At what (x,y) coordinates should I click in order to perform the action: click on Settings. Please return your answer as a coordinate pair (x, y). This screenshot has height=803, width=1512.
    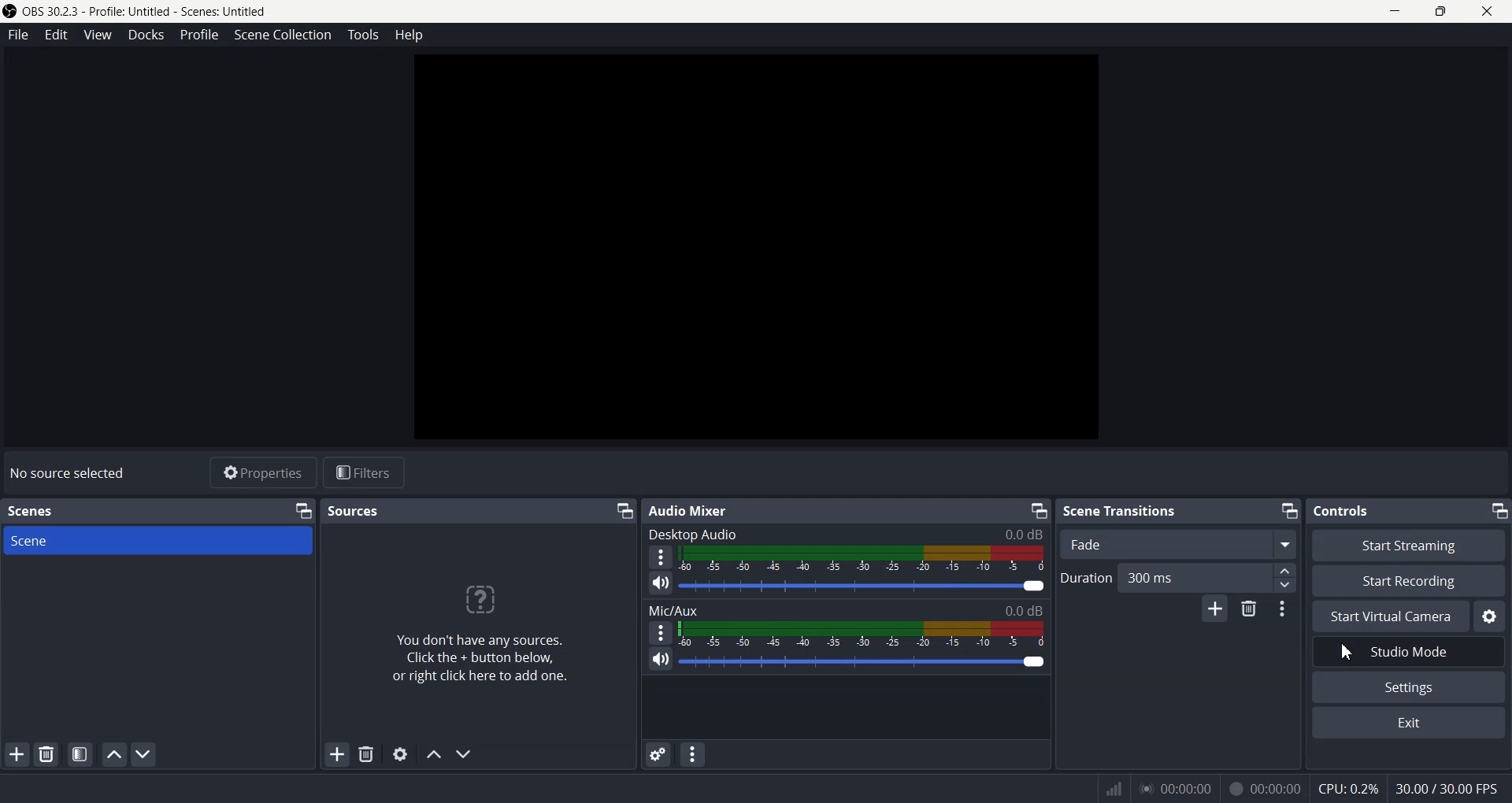
    Looking at the image, I should click on (398, 755).